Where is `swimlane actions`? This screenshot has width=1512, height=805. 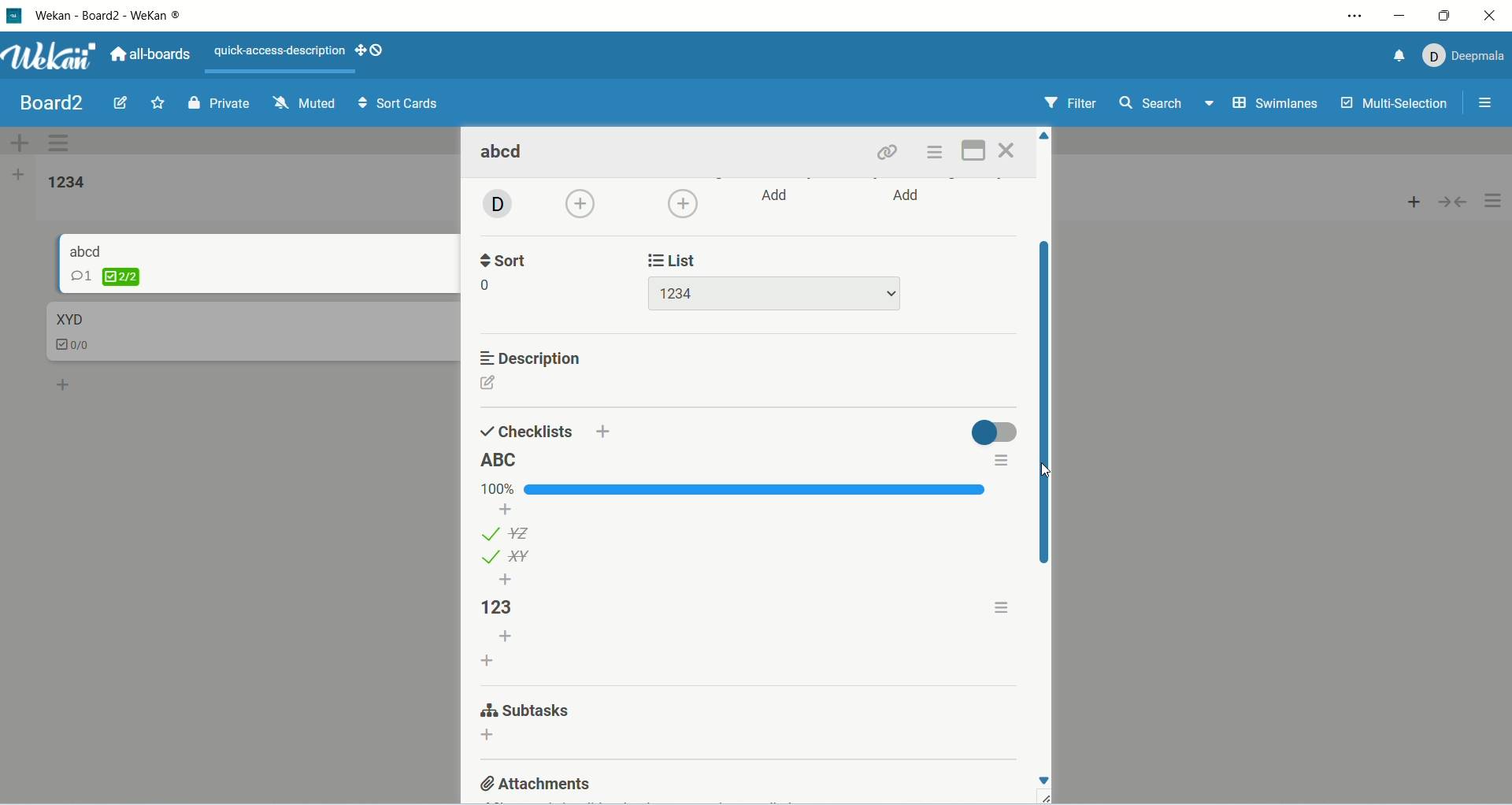 swimlane actions is located at coordinates (61, 145).